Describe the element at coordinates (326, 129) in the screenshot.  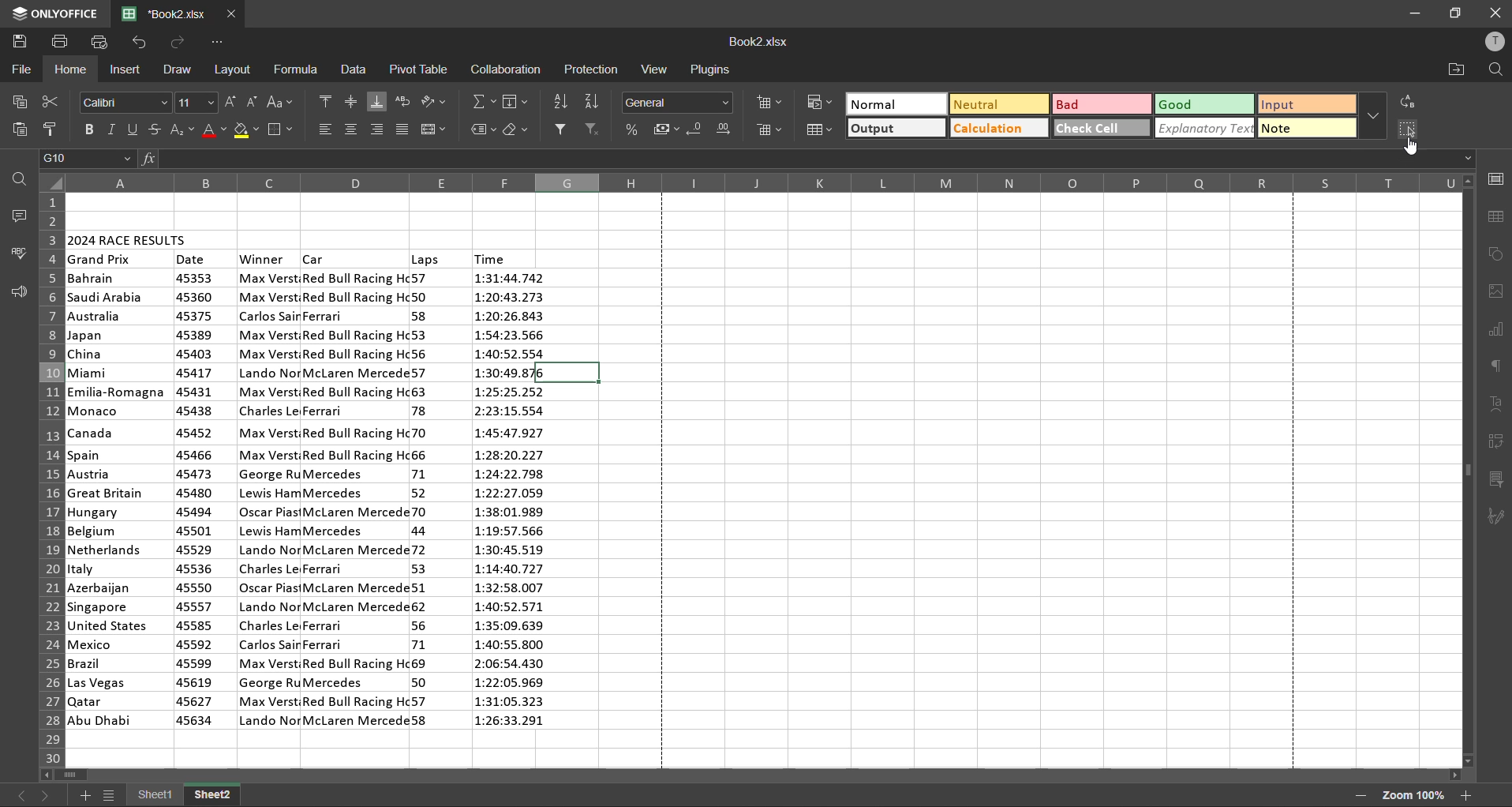
I see `align left` at that location.